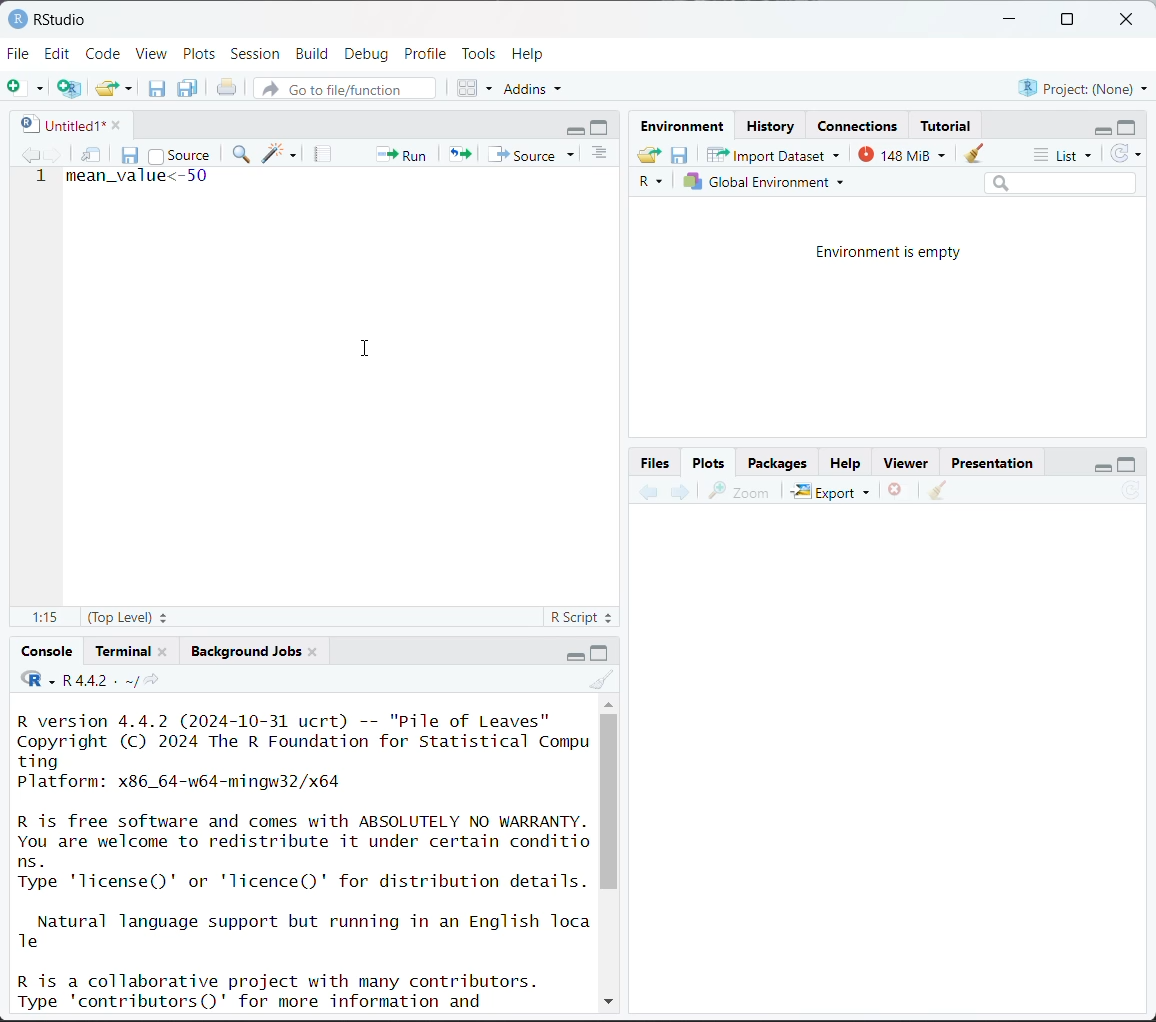 The width and height of the screenshot is (1156, 1022). I want to click on RStudio, so click(47, 18).